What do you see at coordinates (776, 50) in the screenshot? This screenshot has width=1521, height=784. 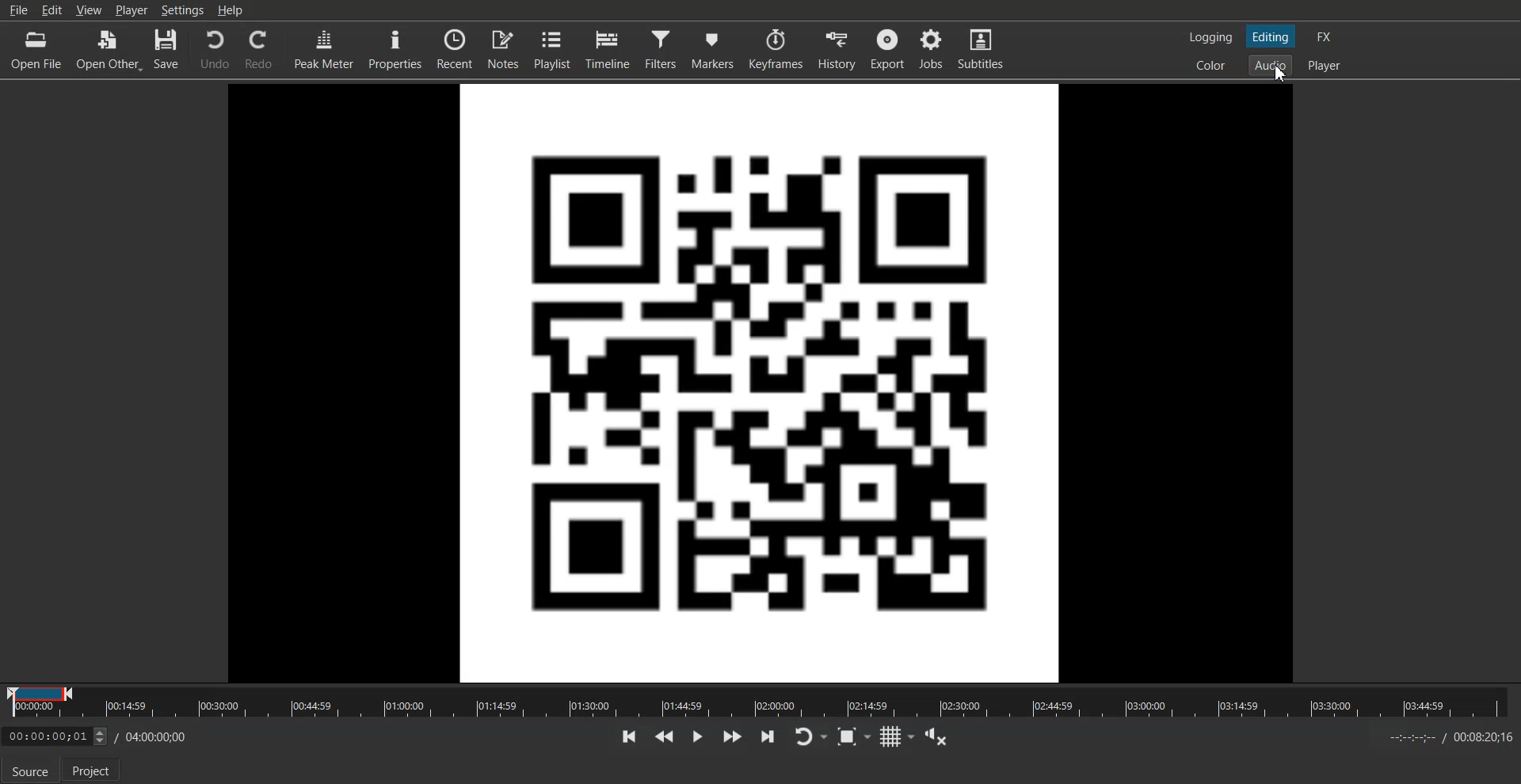 I see `Keyframes` at bounding box center [776, 50].